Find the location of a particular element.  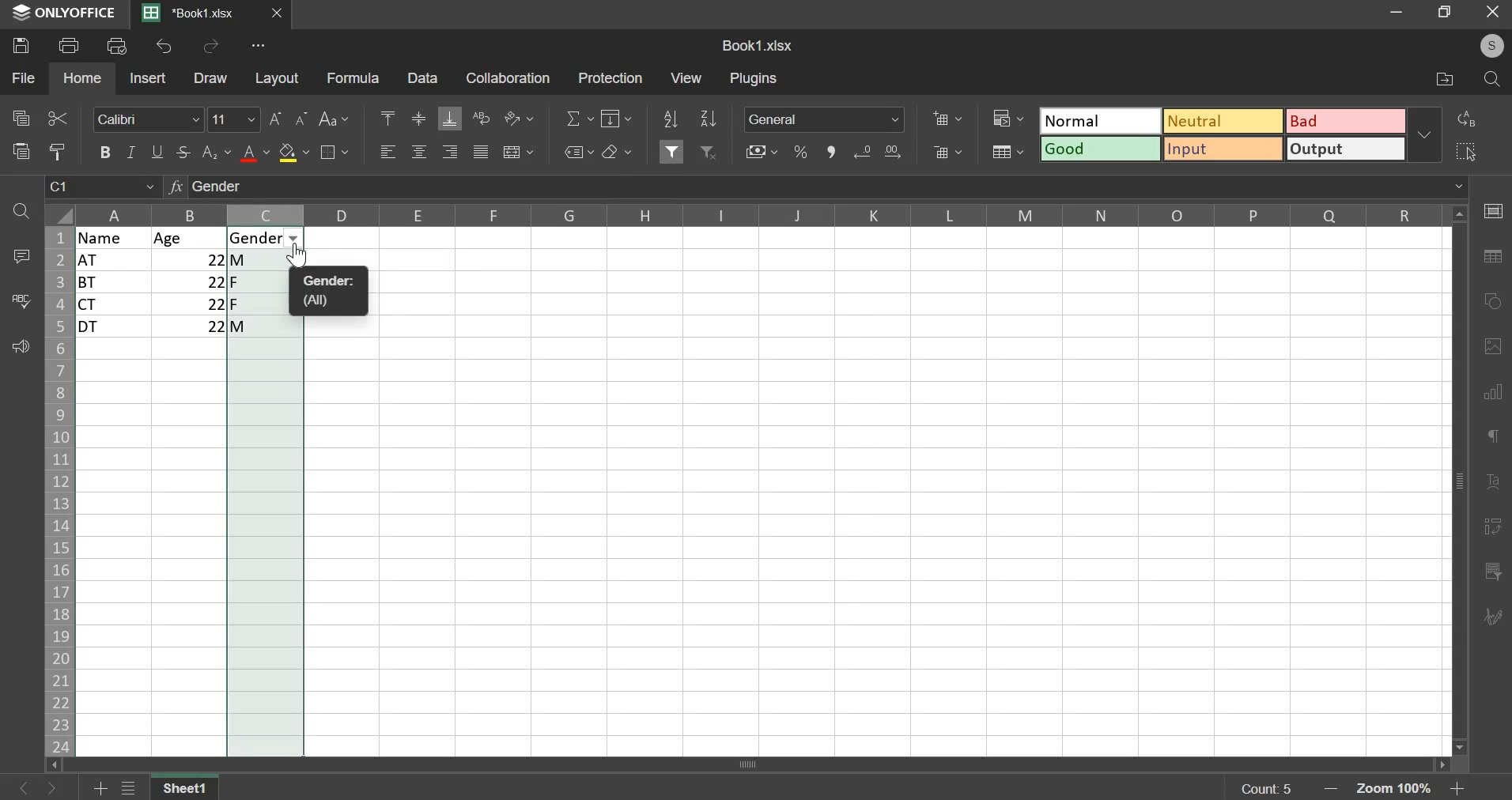

formula is located at coordinates (352, 77).